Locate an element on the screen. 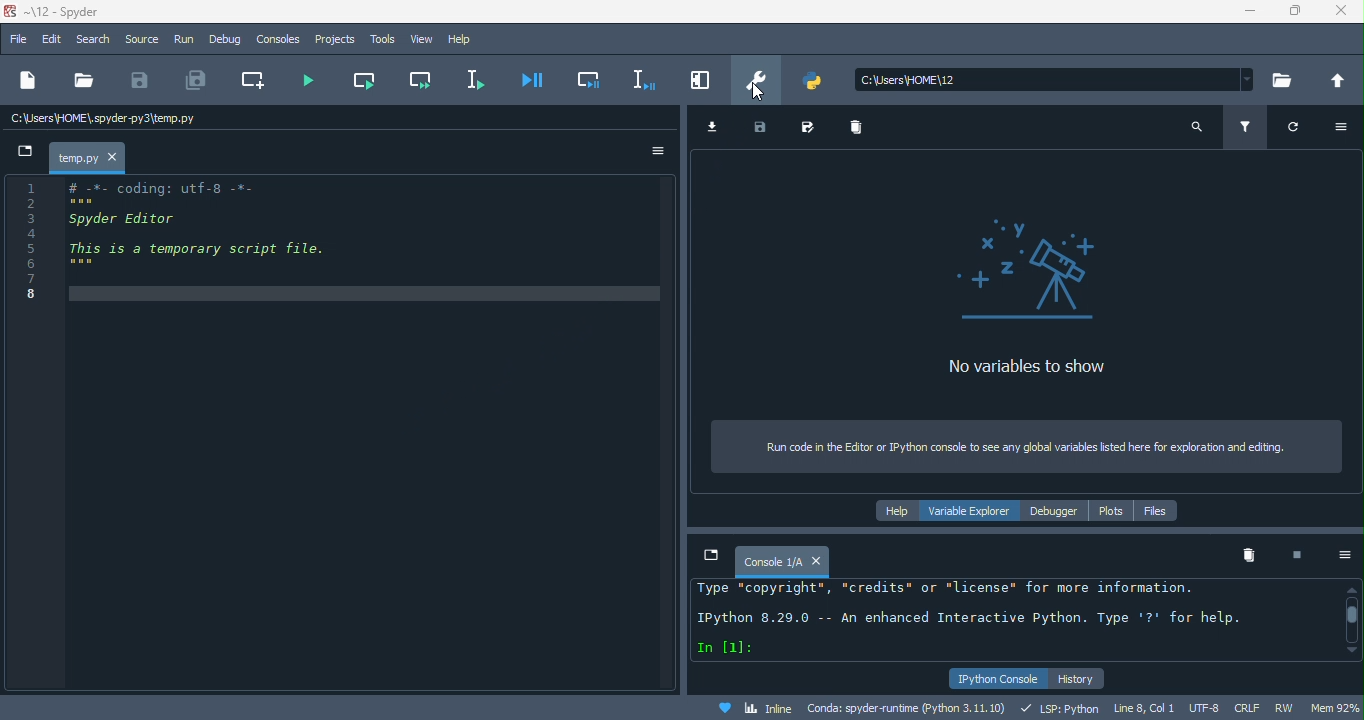 This screenshot has width=1364, height=720. pythonpath manager is located at coordinates (818, 80).